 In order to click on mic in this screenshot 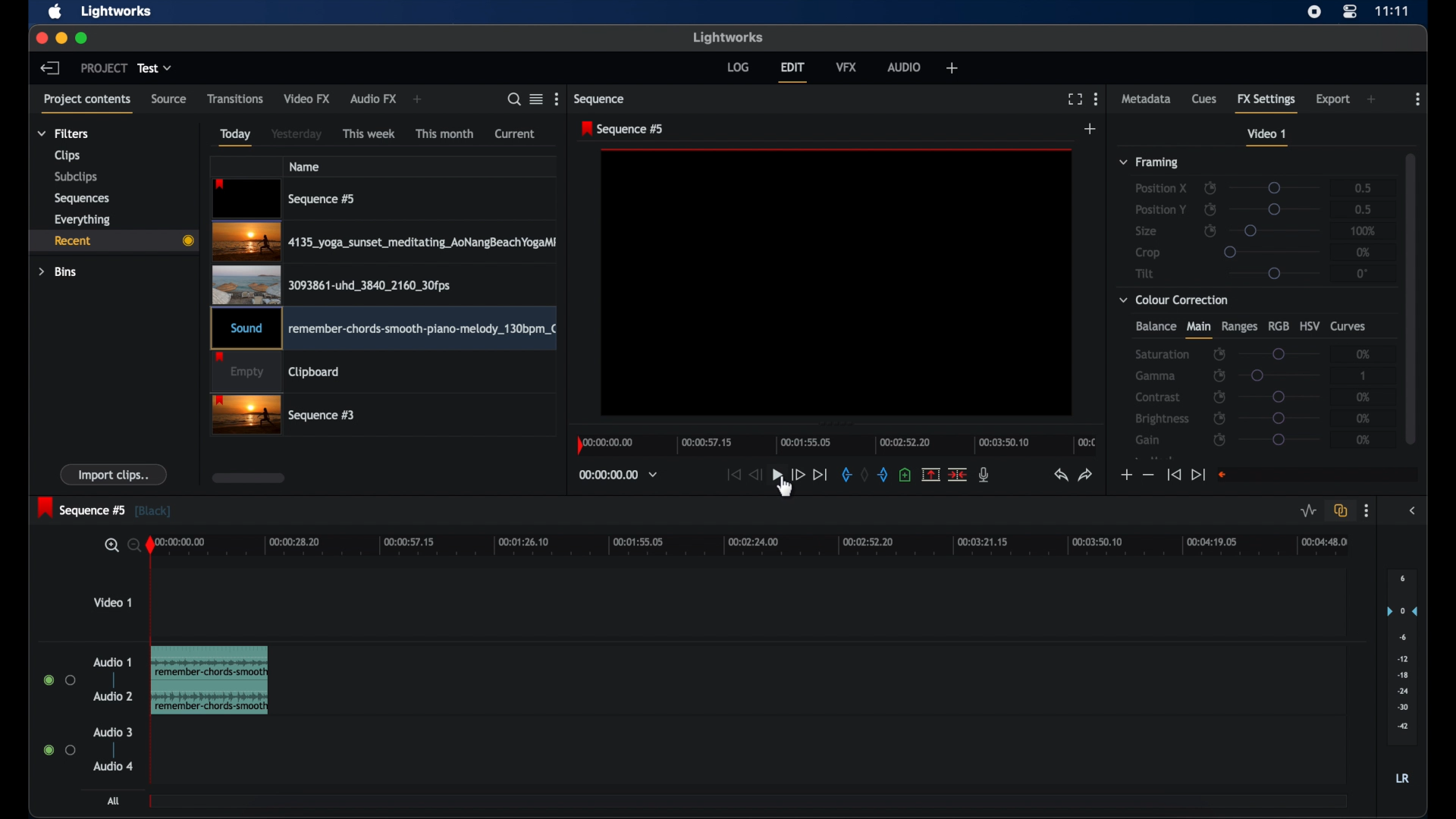, I will do `click(984, 475)`.